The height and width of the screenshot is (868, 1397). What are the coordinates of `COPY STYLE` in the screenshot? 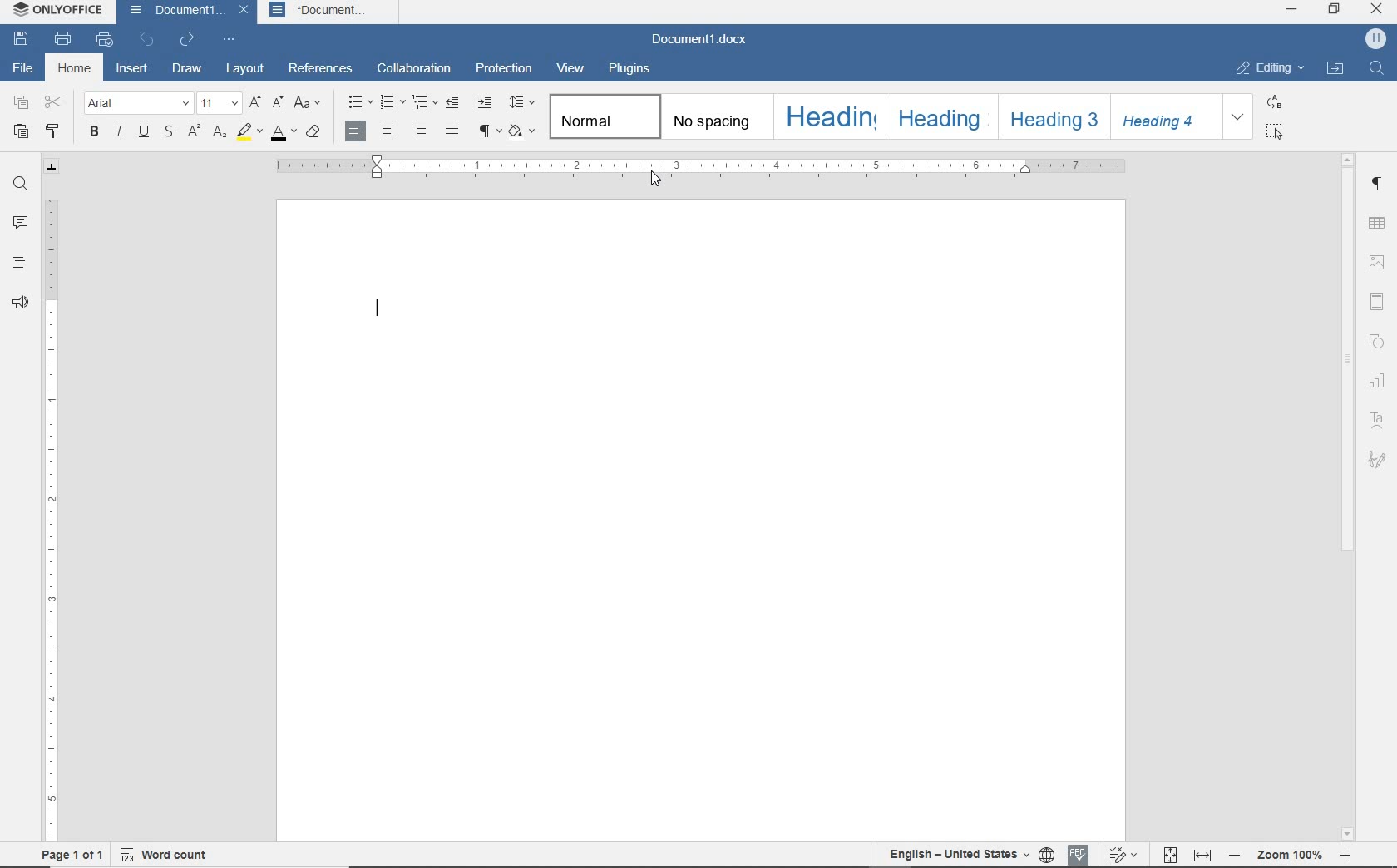 It's located at (52, 131).